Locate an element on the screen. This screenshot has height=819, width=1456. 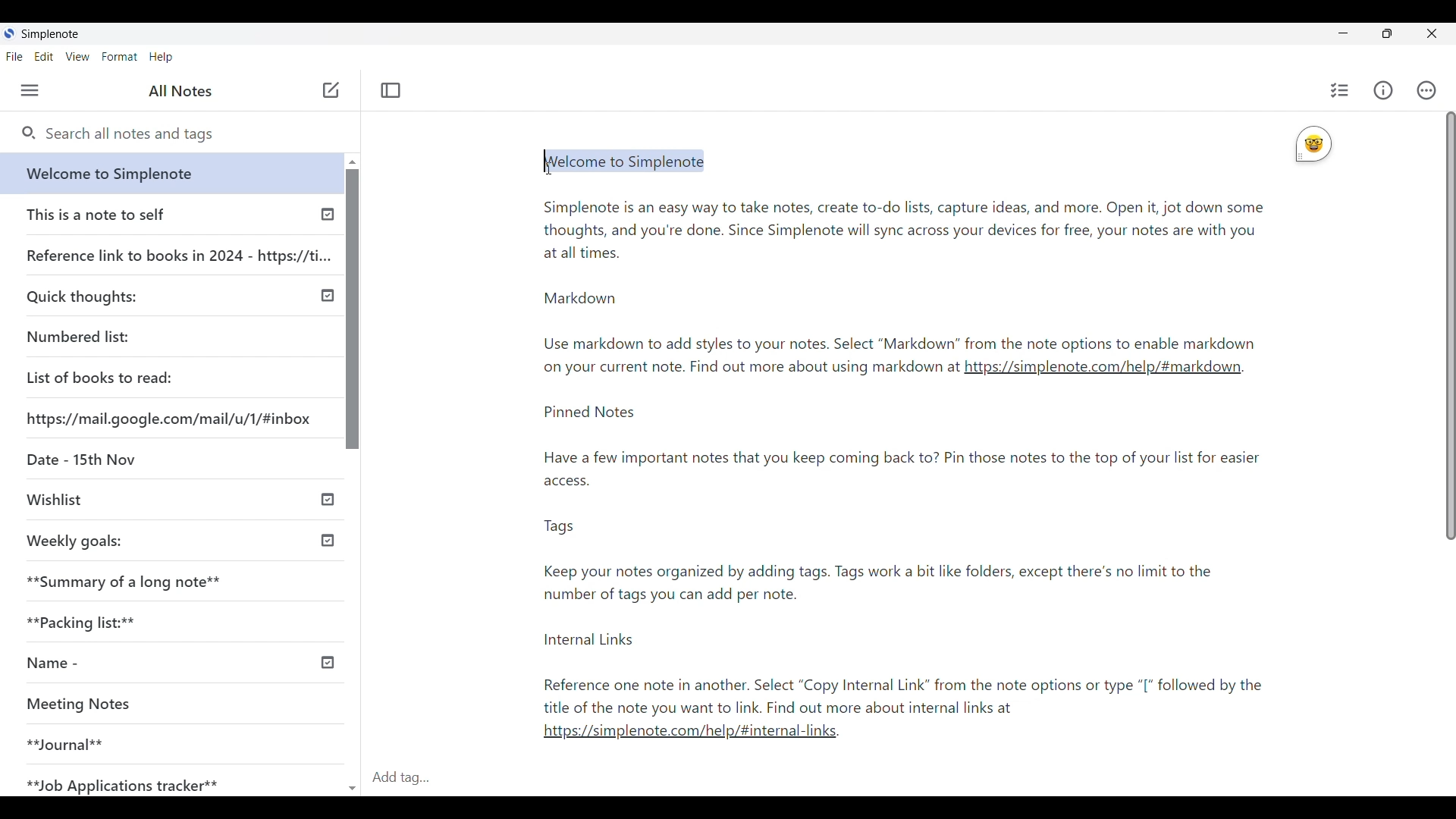
Vertical slide bar for noted made earlier is located at coordinates (350, 309).